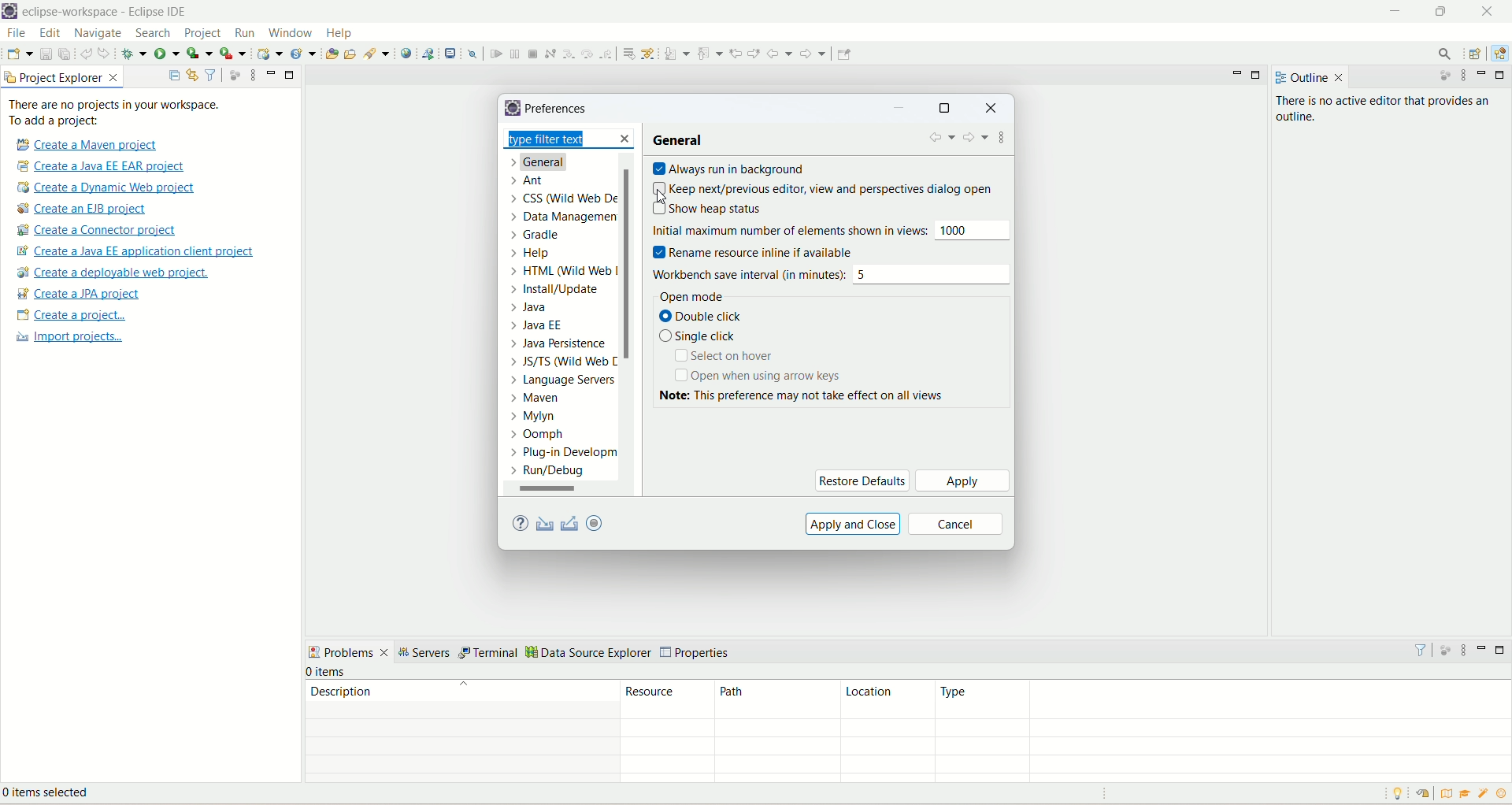 This screenshot has height=805, width=1512. Describe the element at coordinates (731, 169) in the screenshot. I see `always run in background` at that location.